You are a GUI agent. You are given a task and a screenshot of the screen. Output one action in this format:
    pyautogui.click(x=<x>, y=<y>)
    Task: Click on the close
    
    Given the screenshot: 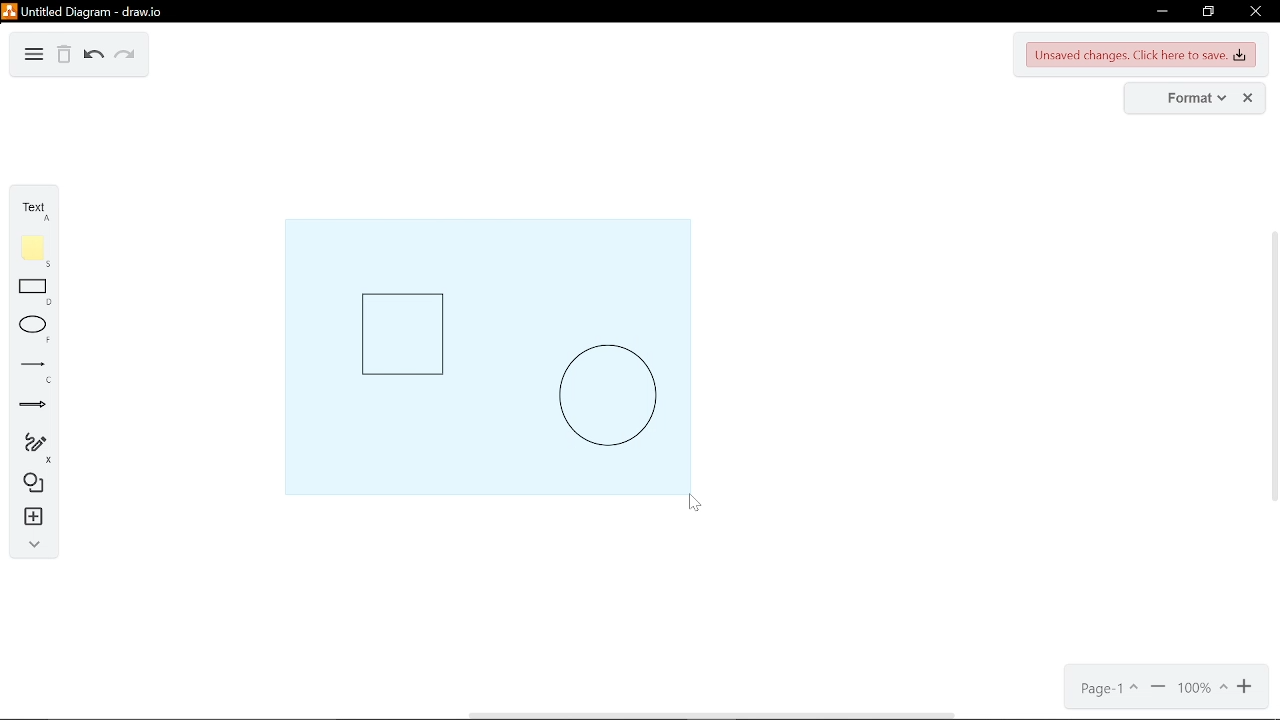 What is the action you would take?
    pyautogui.click(x=1248, y=98)
    